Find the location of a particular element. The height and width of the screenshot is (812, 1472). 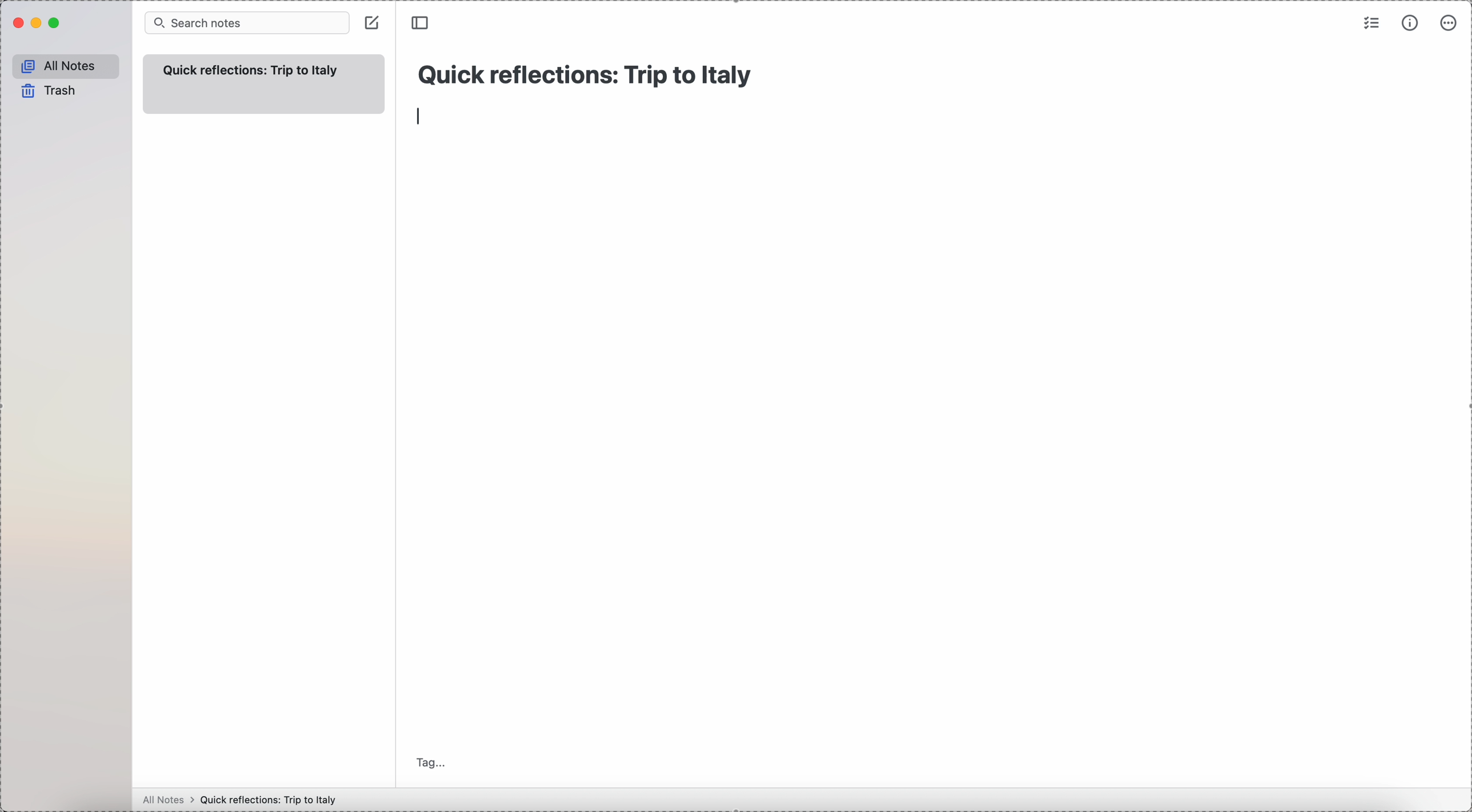

more options is located at coordinates (1449, 25).